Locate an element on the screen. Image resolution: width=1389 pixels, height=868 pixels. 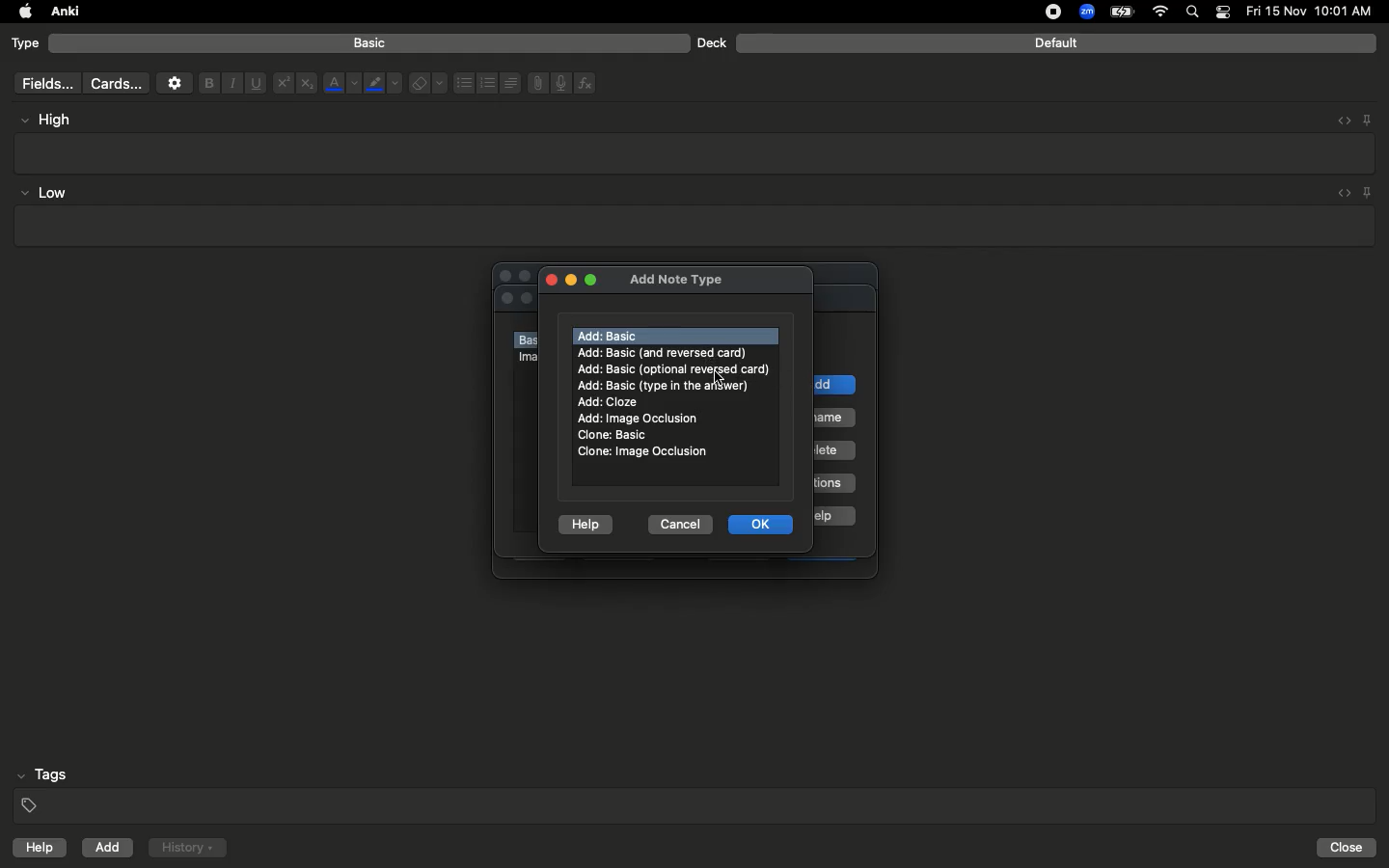
Pin is located at coordinates (1369, 192).